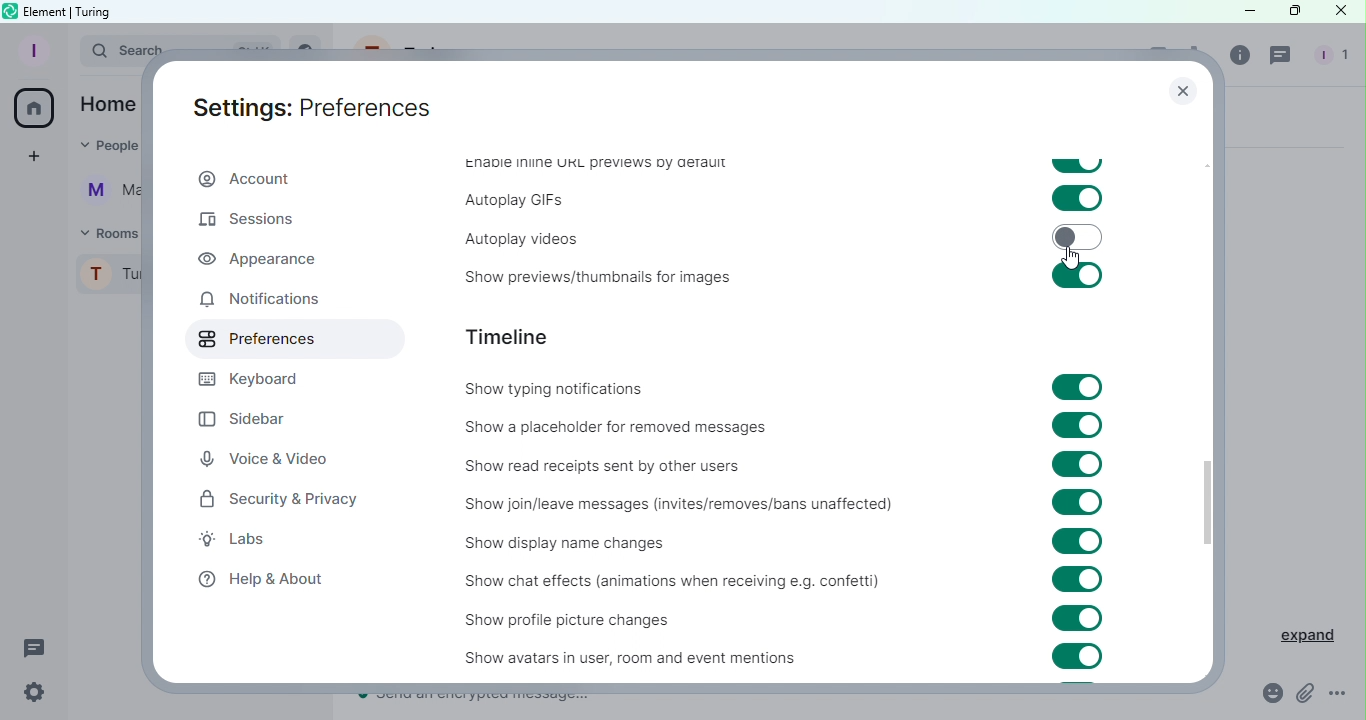 This screenshot has width=1366, height=720. I want to click on Show chat effects (animations when receiving e.g. confett)), so click(667, 584).